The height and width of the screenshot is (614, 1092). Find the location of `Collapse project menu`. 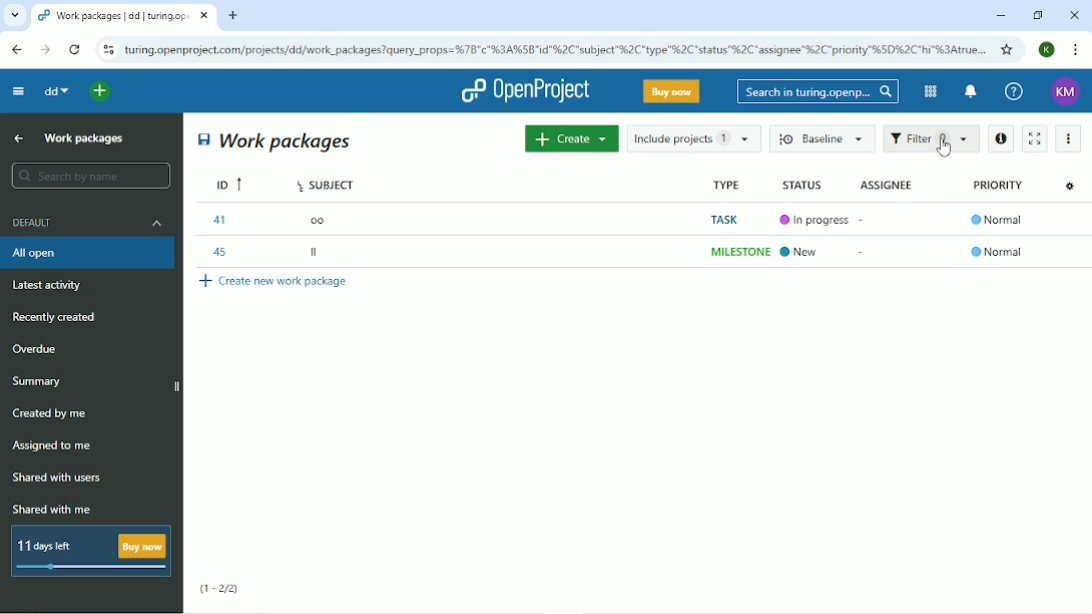

Collapse project menu is located at coordinates (17, 90).